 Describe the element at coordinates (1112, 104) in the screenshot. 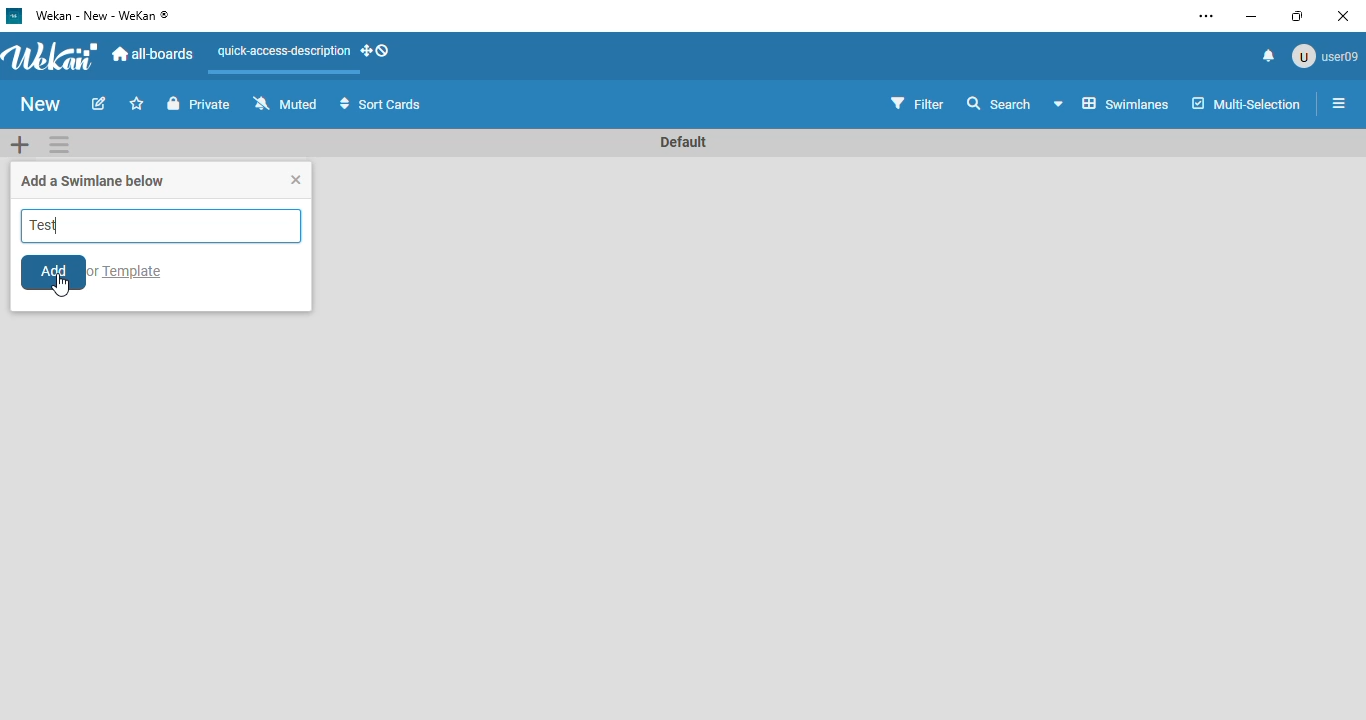

I see `board view` at that location.